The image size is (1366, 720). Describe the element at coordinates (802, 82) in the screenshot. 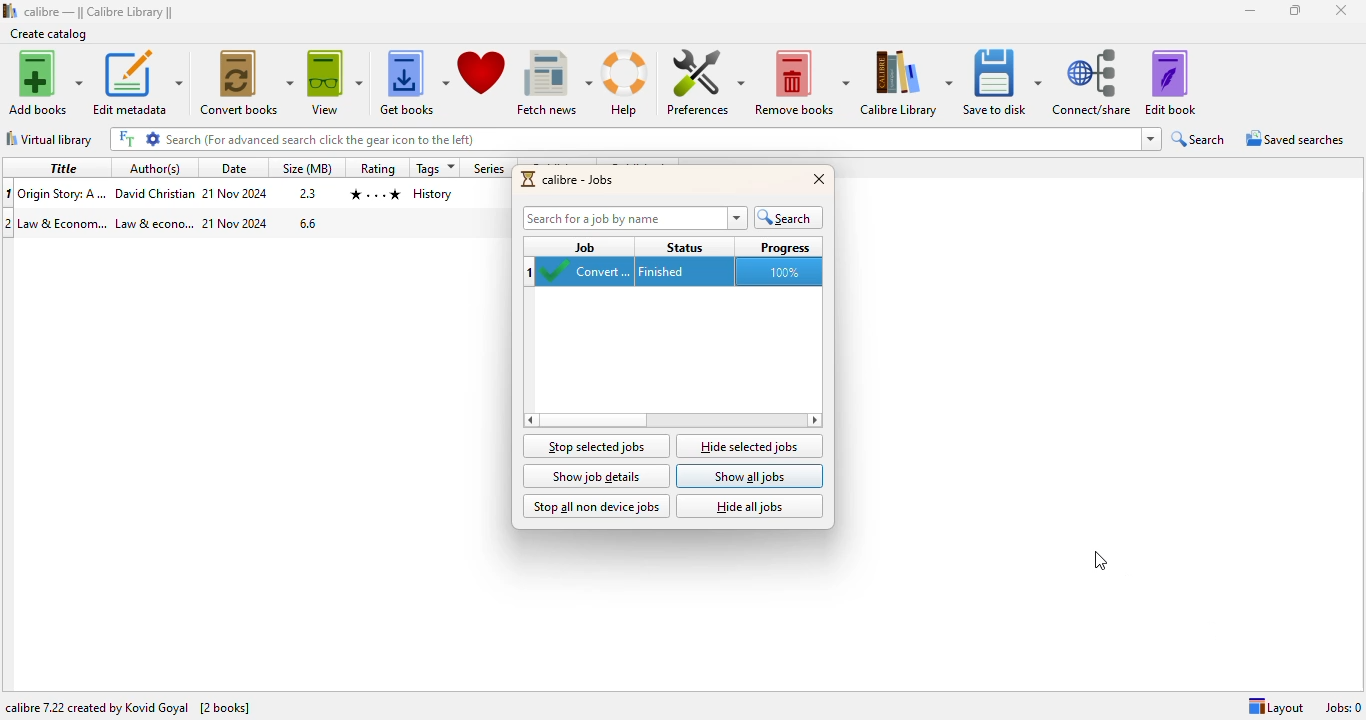

I see `remove books` at that location.